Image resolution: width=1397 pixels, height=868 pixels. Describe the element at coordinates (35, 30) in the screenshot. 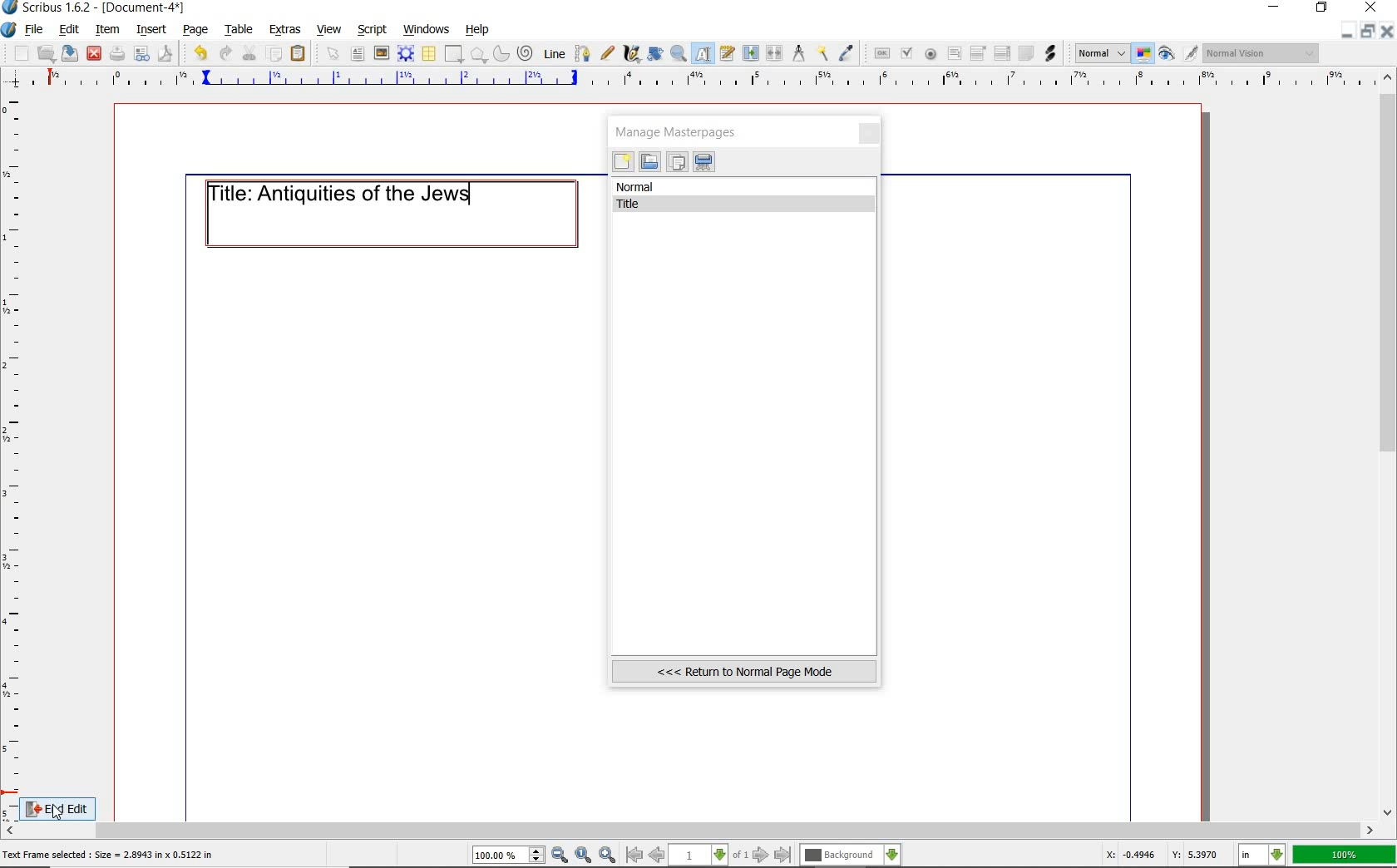

I see `file` at that location.